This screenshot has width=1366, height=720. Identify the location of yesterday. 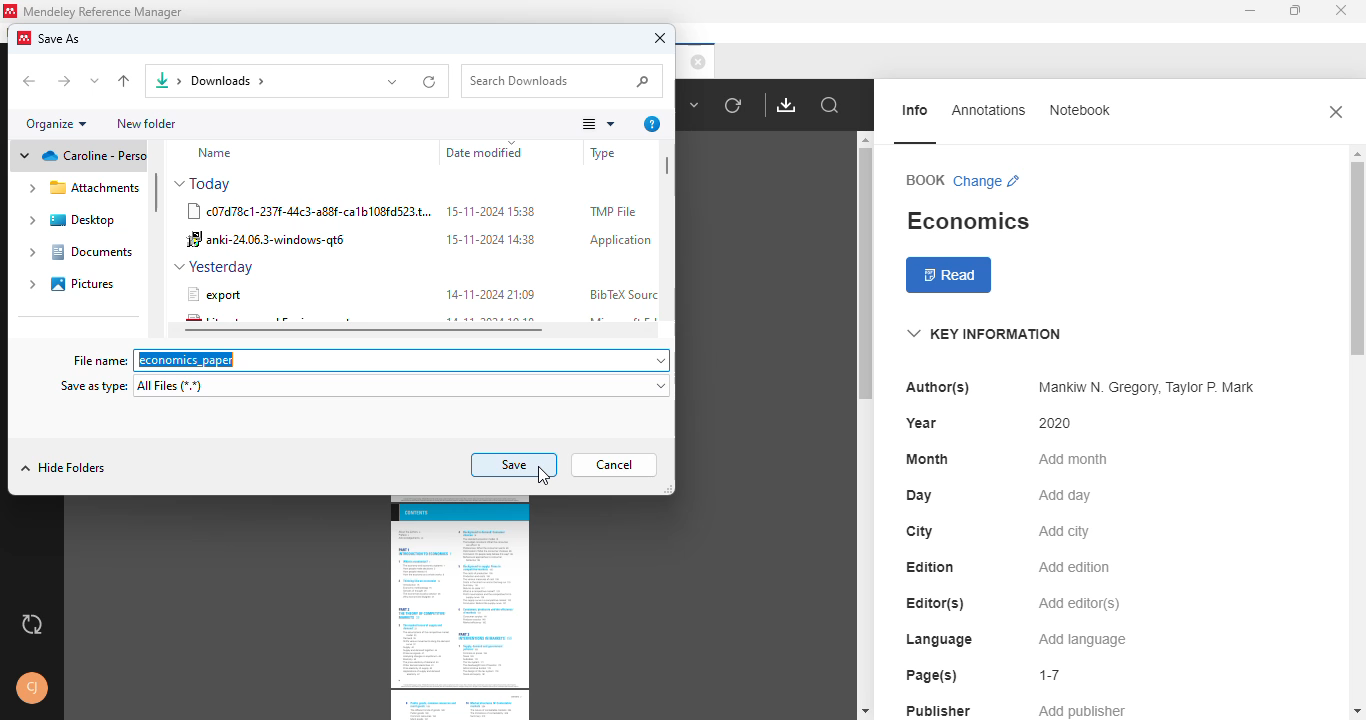
(213, 267).